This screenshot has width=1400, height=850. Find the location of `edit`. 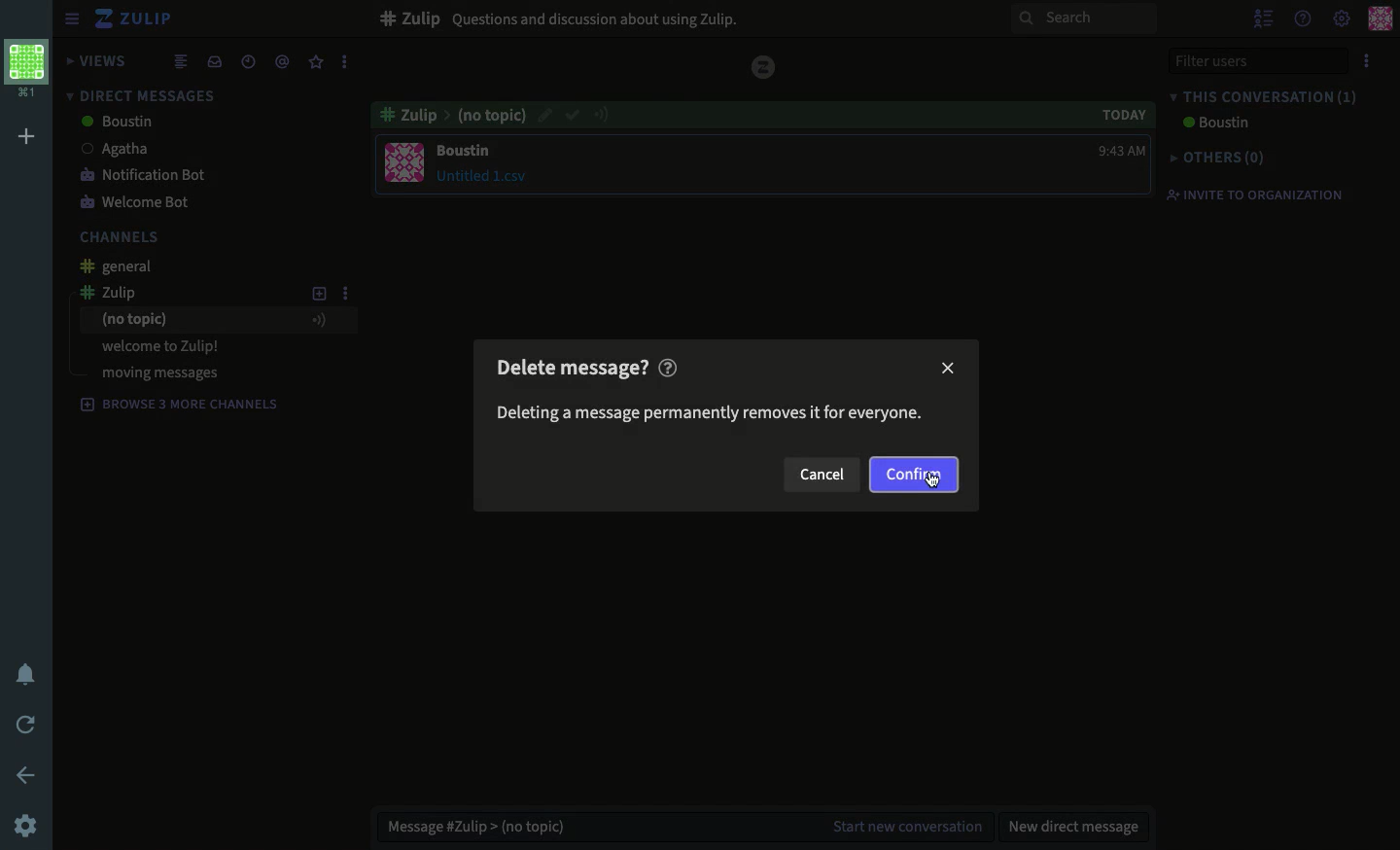

edit is located at coordinates (544, 114).